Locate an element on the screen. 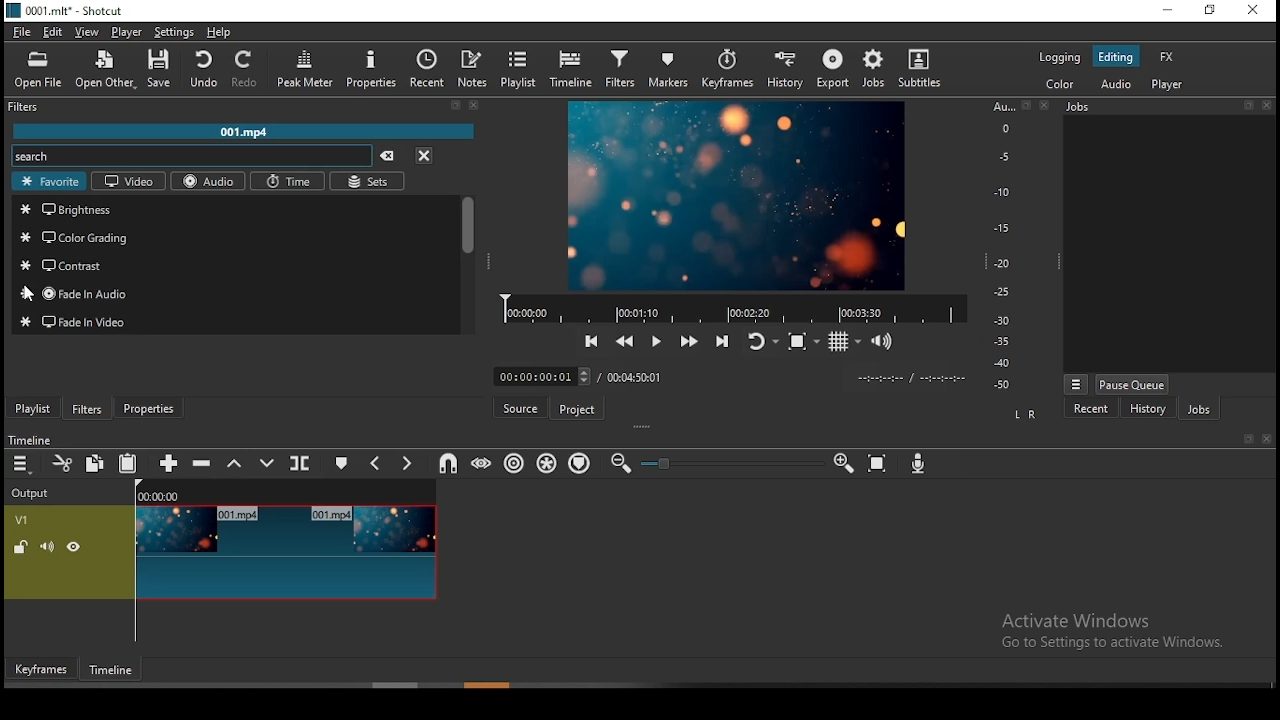 This screenshot has height=720, width=1280. player is located at coordinates (124, 32).